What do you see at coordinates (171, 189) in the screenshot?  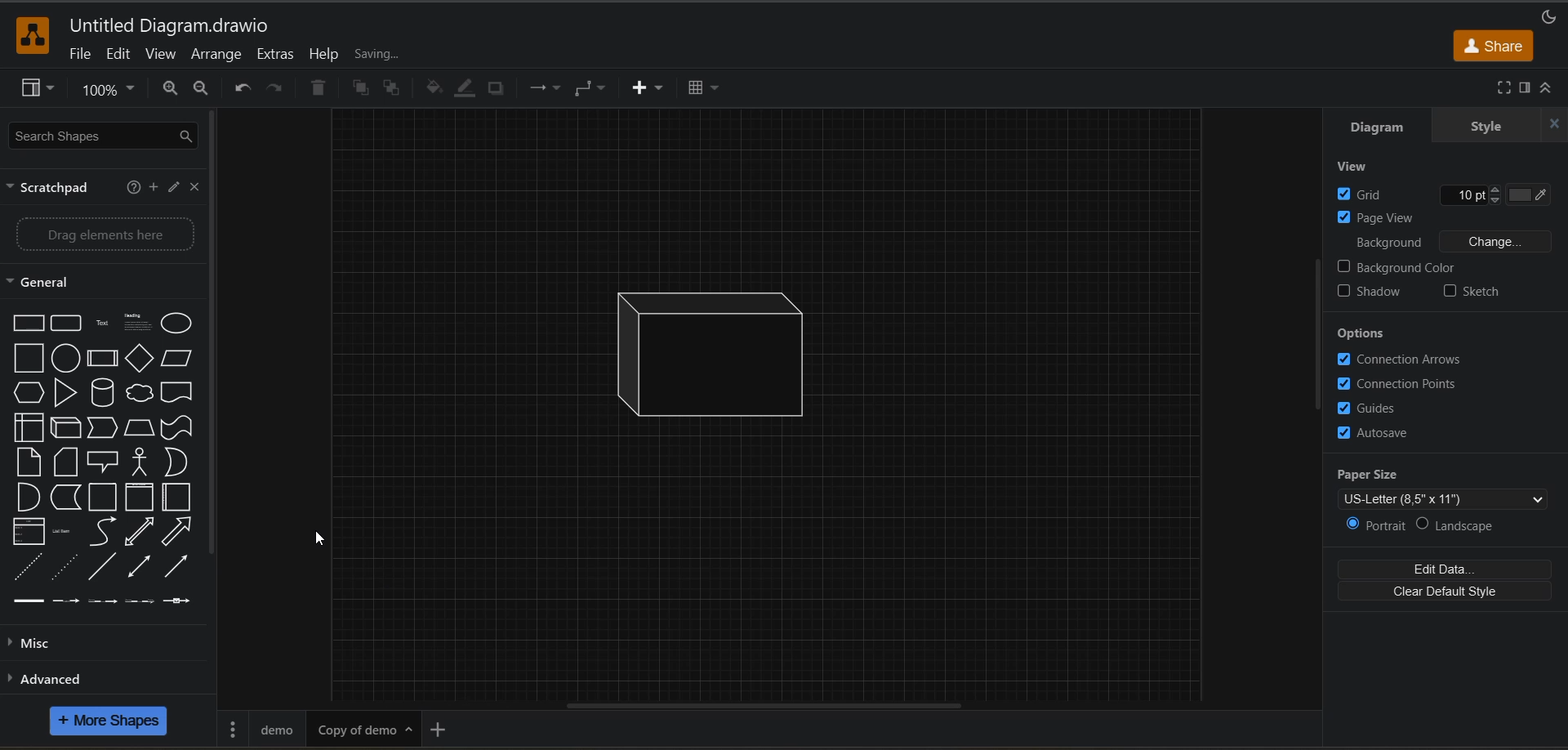 I see `edit` at bounding box center [171, 189].